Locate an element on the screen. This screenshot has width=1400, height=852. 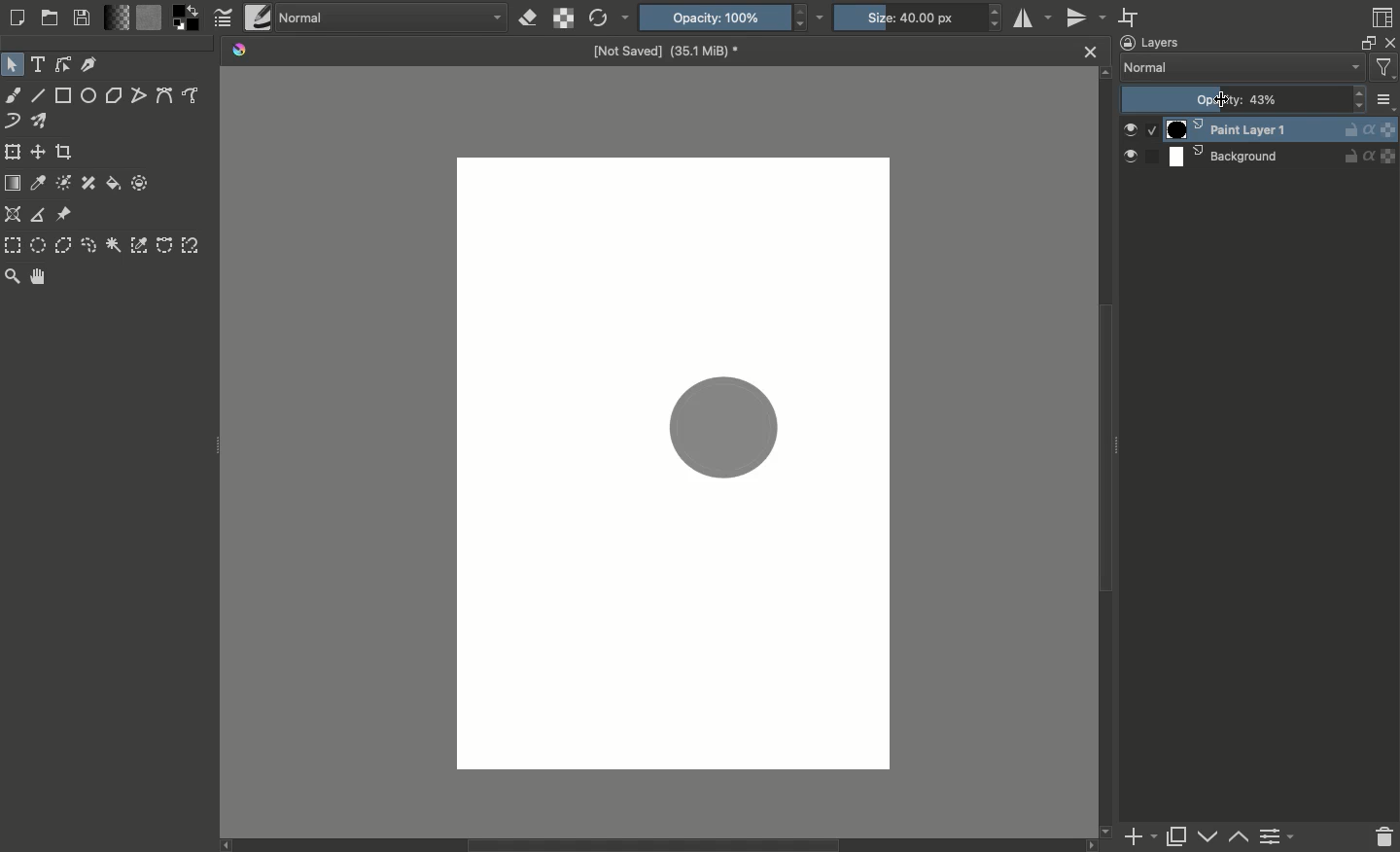
Normal is located at coordinates (389, 19).